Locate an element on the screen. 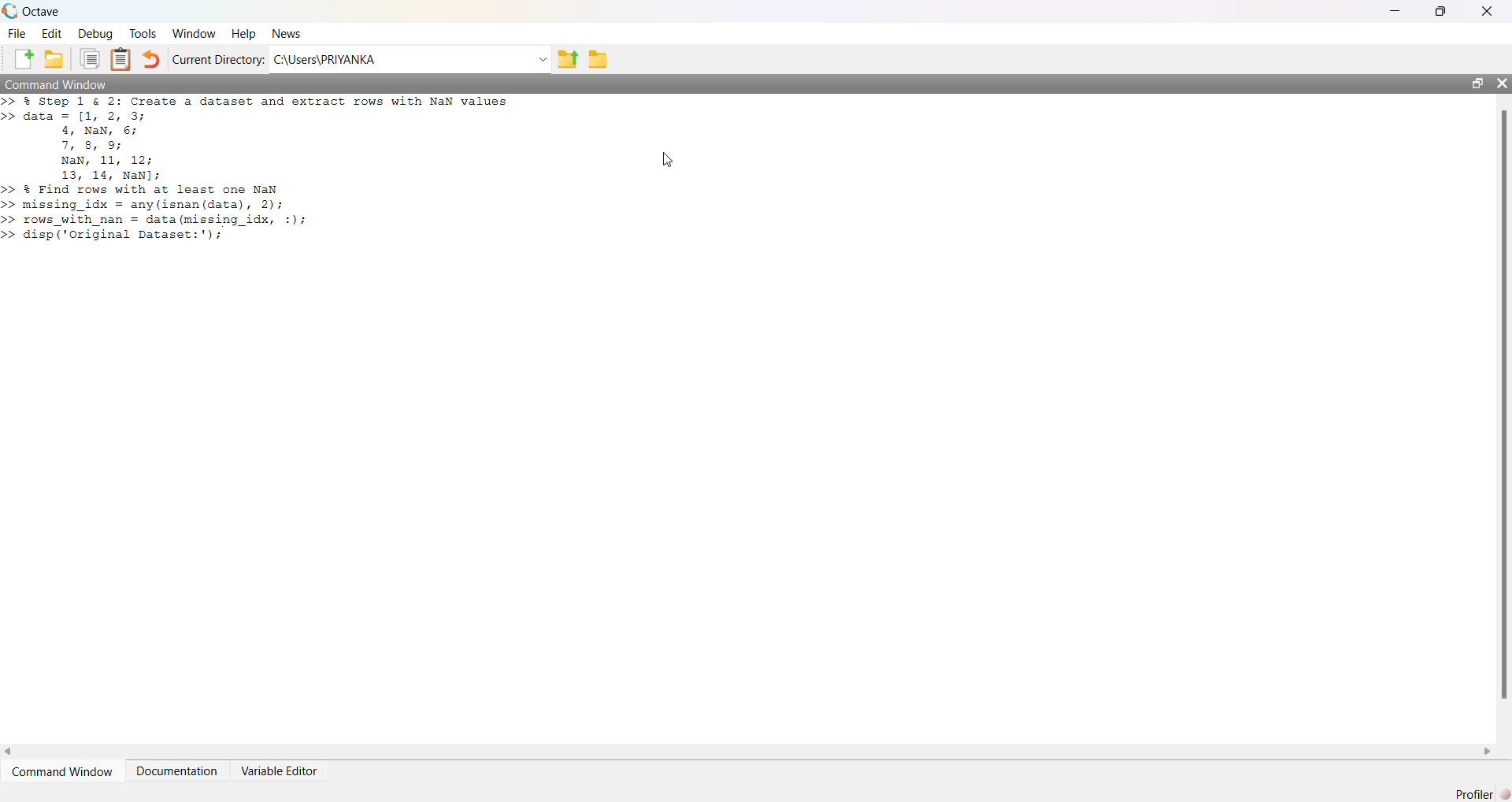 The image size is (1512, 802). maximize is located at coordinates (1441, 10).